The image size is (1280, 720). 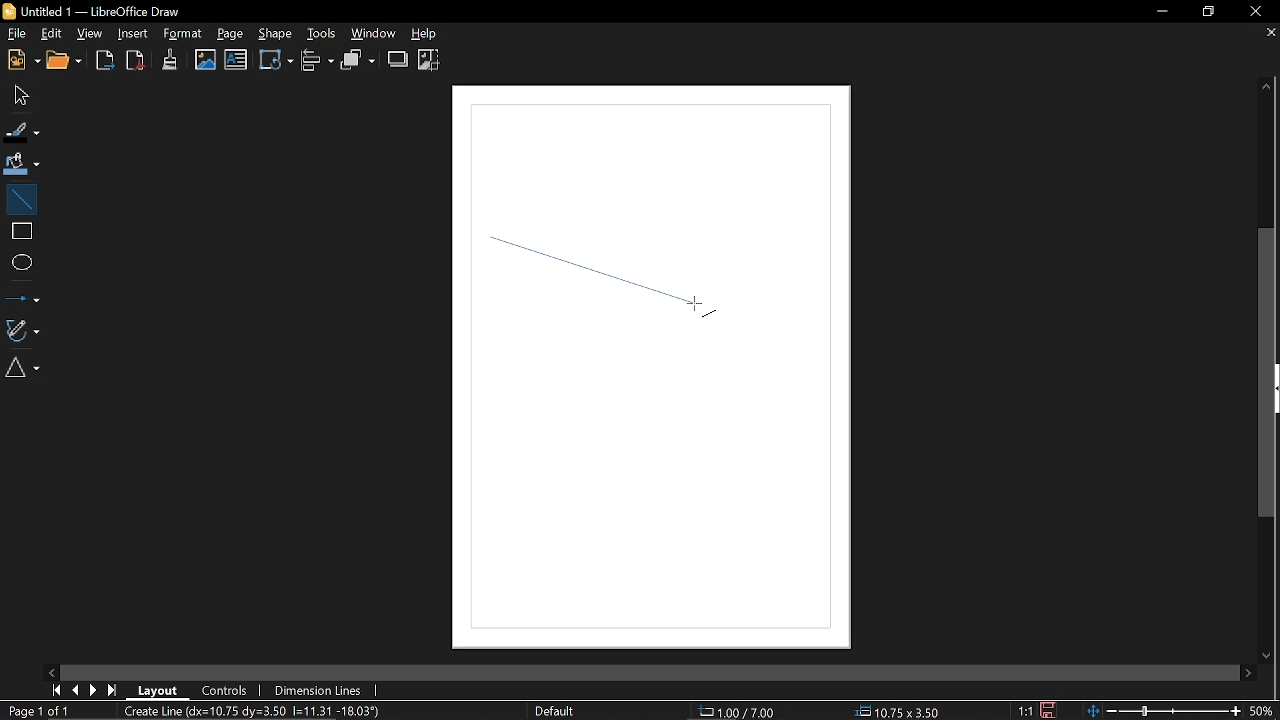 What do you see at coordinates (274, 34) in the screenshot?
I see `Shape` at bounding box center [274, 34].